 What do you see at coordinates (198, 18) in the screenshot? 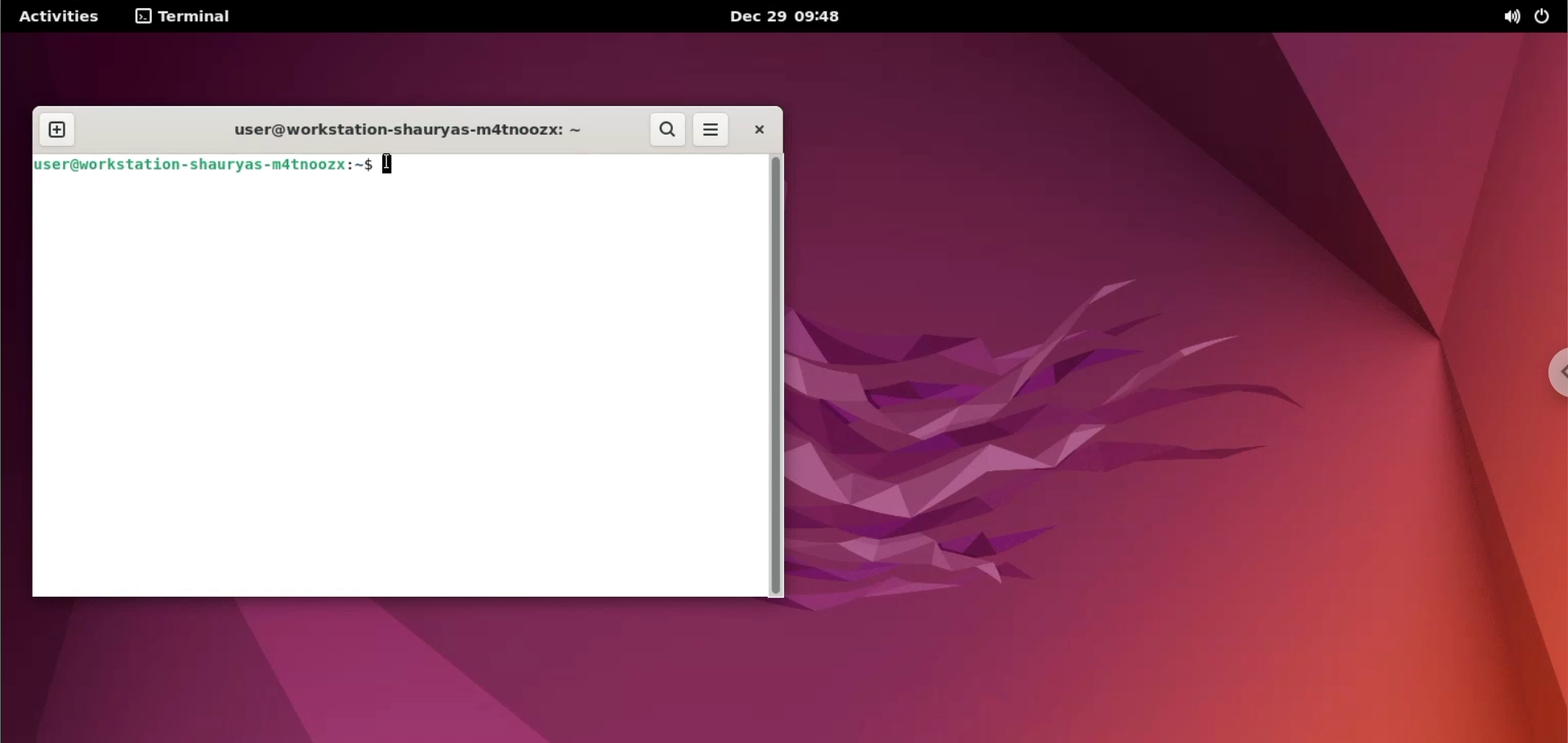
I see `terminal` at bounding box center [198, 18].